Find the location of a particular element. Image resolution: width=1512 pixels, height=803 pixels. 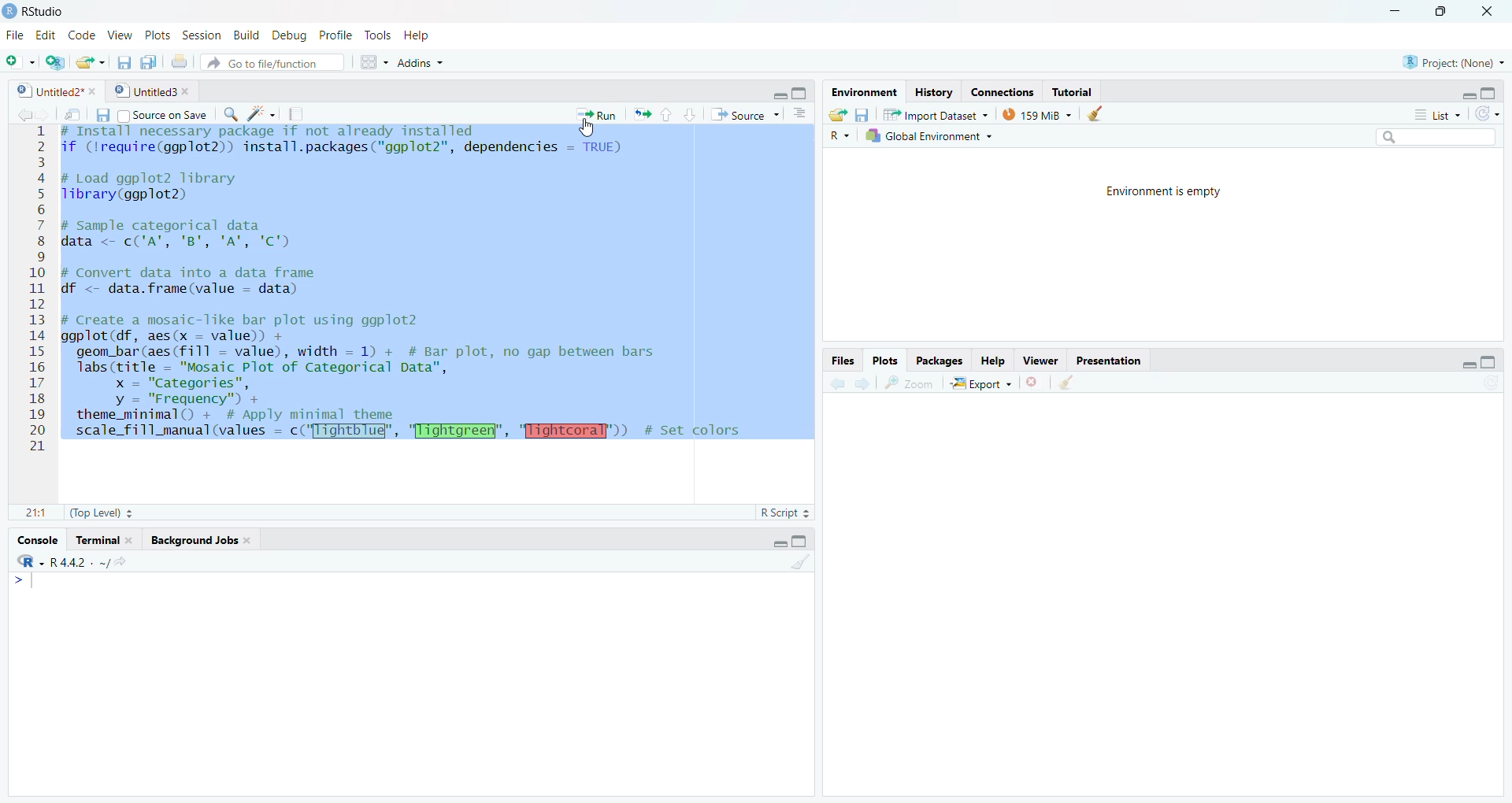

Close is located at coordinates (1488, 13).